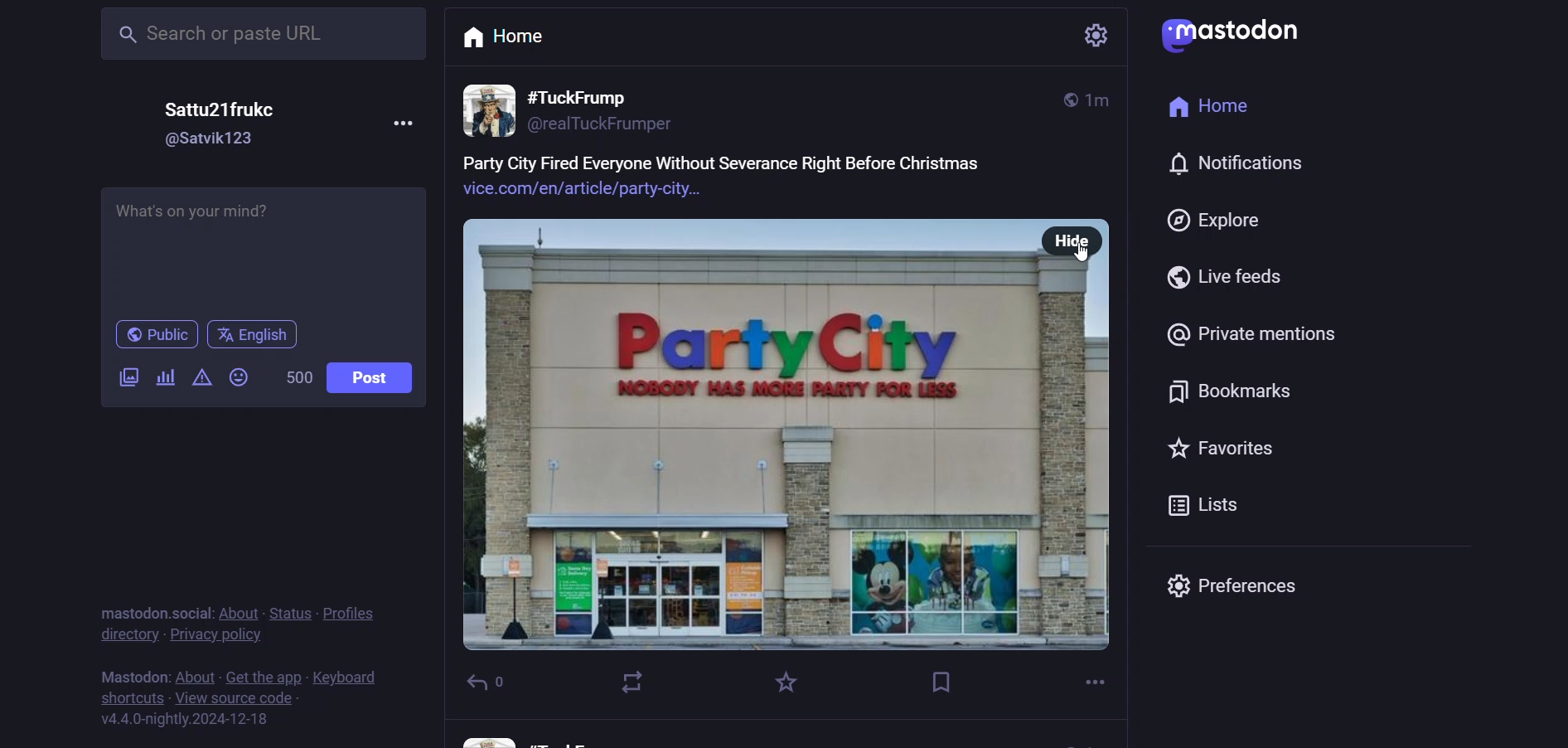 The image size is (1568, 748). What do you see at coordinates (235, 698) in the screenshot?
I see `View source code` at bounding box center [235, 698].